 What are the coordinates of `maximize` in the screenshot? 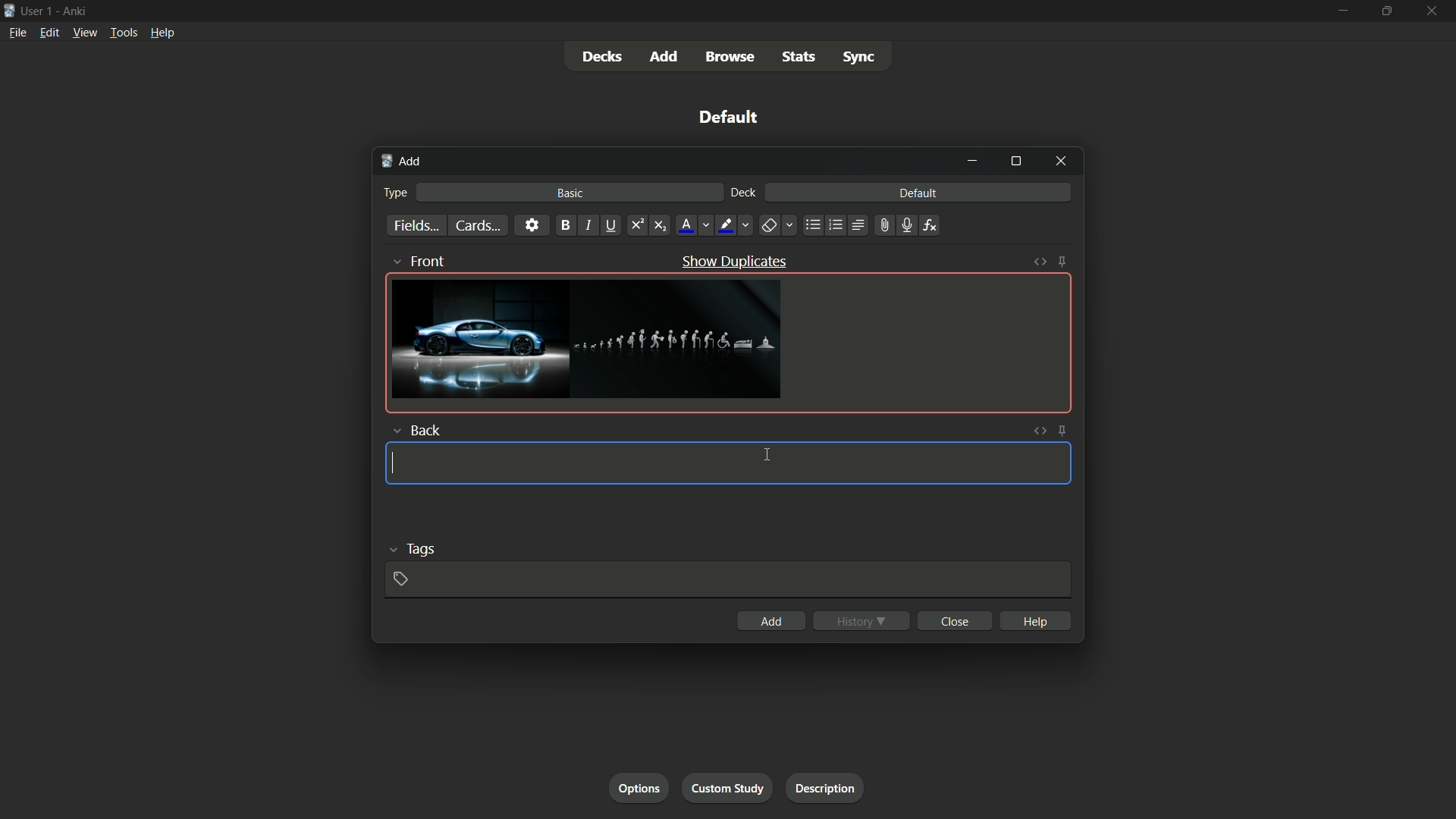 It's located at (1387, 11).